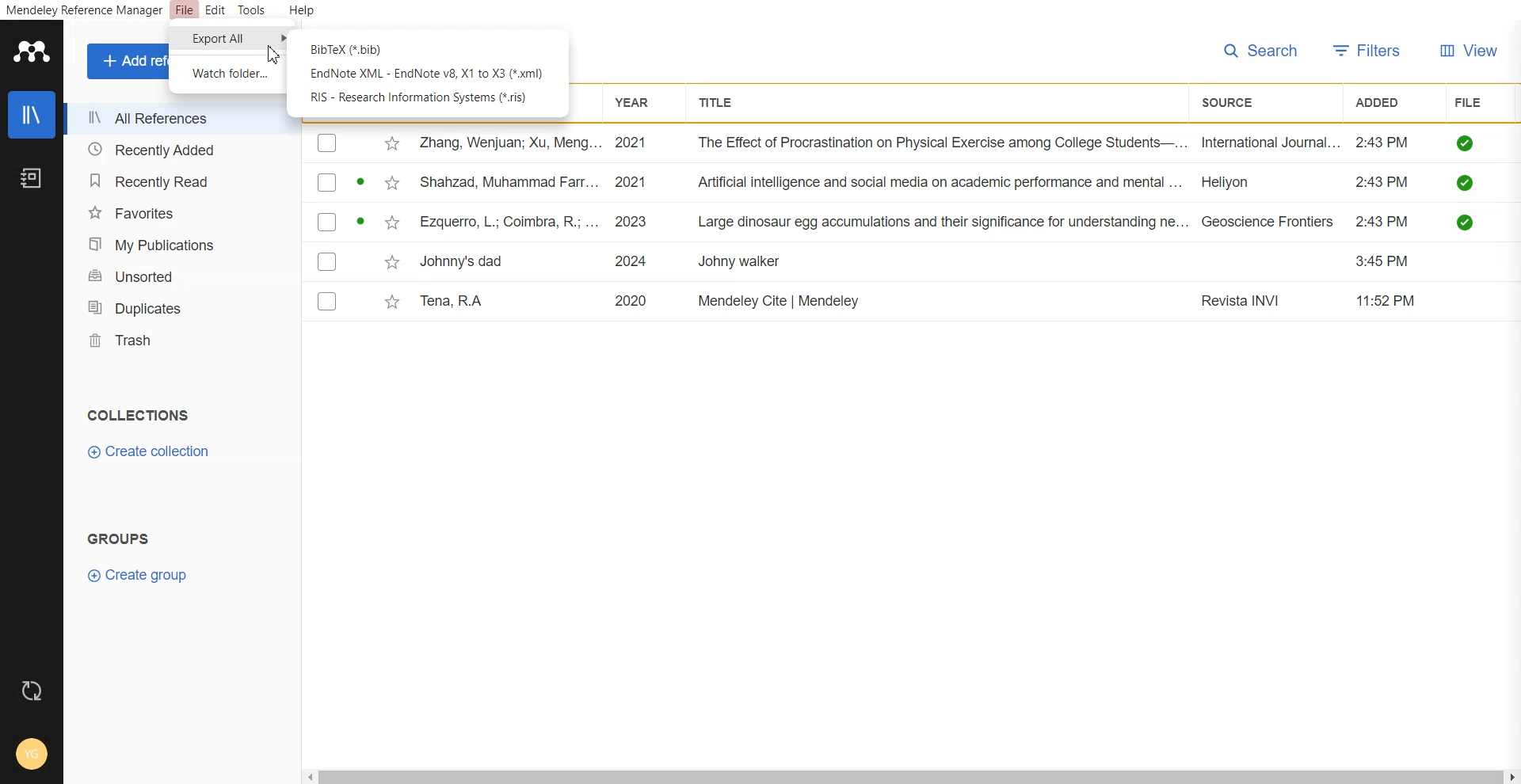 The width and height of the screenshot is (1521, 784). What do you see at coordinates (943, 143) in the screenshot?
I see `The Effect of Procrastination on Physical Exercise among College Students—...` at bounding box center [943, 143].